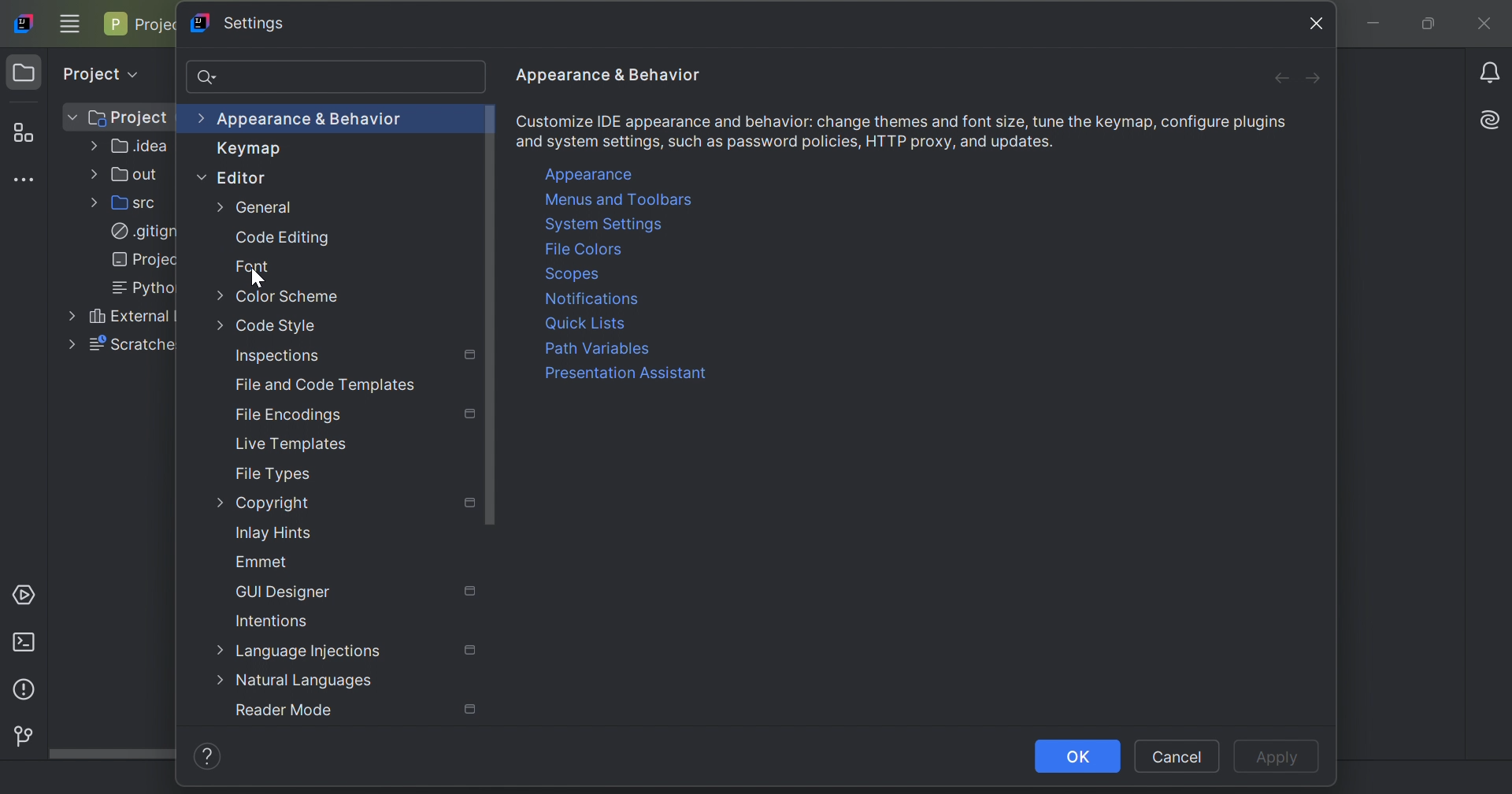 The height and width of the screenshot is (794, 1512). What do you see at coordinates (623, 375) in the screenshot?
I see `Presentation Assistant` at bounding box center [623, 375].